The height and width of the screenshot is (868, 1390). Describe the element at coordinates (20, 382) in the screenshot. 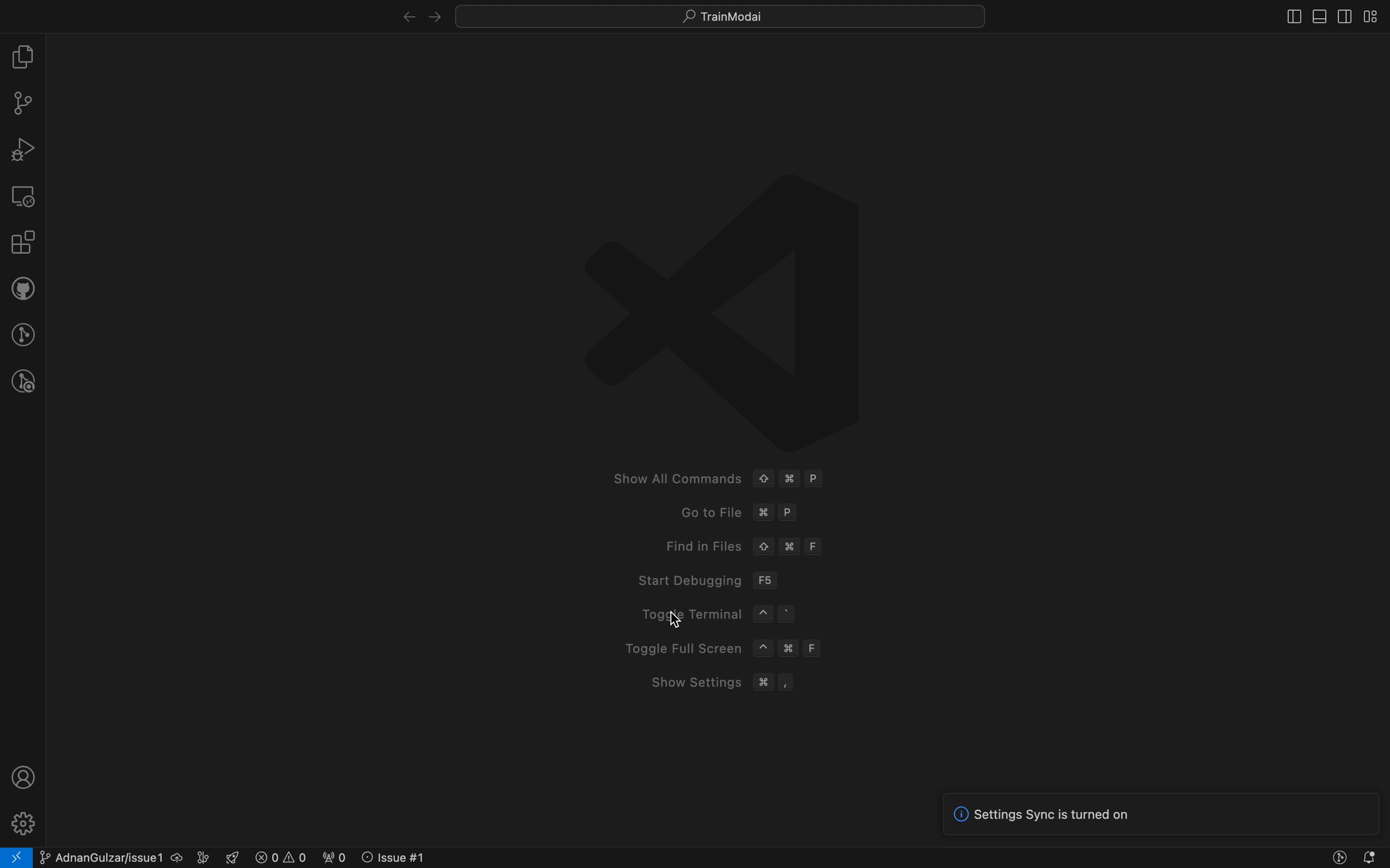

I see `git lens inspect` at that location.